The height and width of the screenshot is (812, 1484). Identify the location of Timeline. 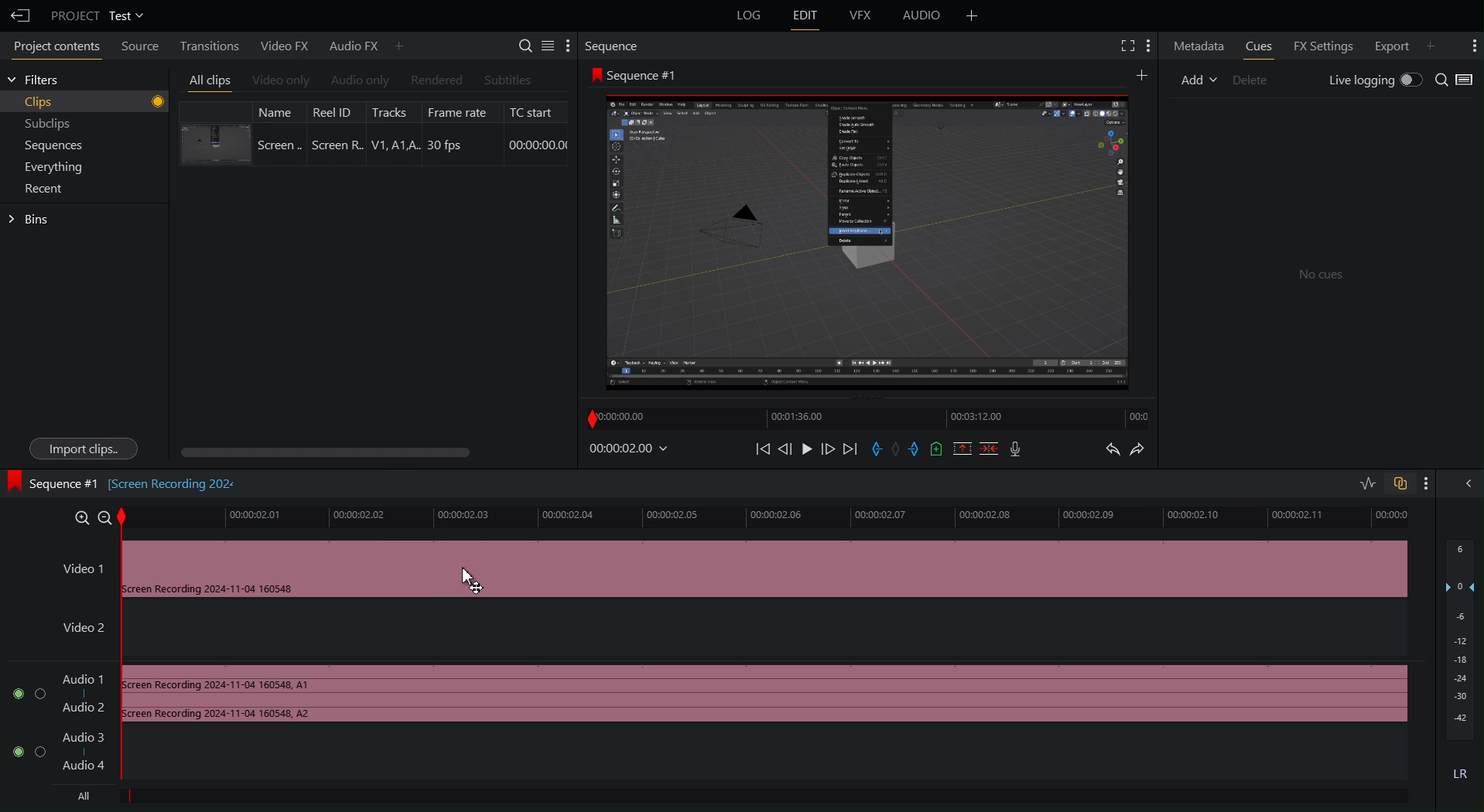
(767, 517).